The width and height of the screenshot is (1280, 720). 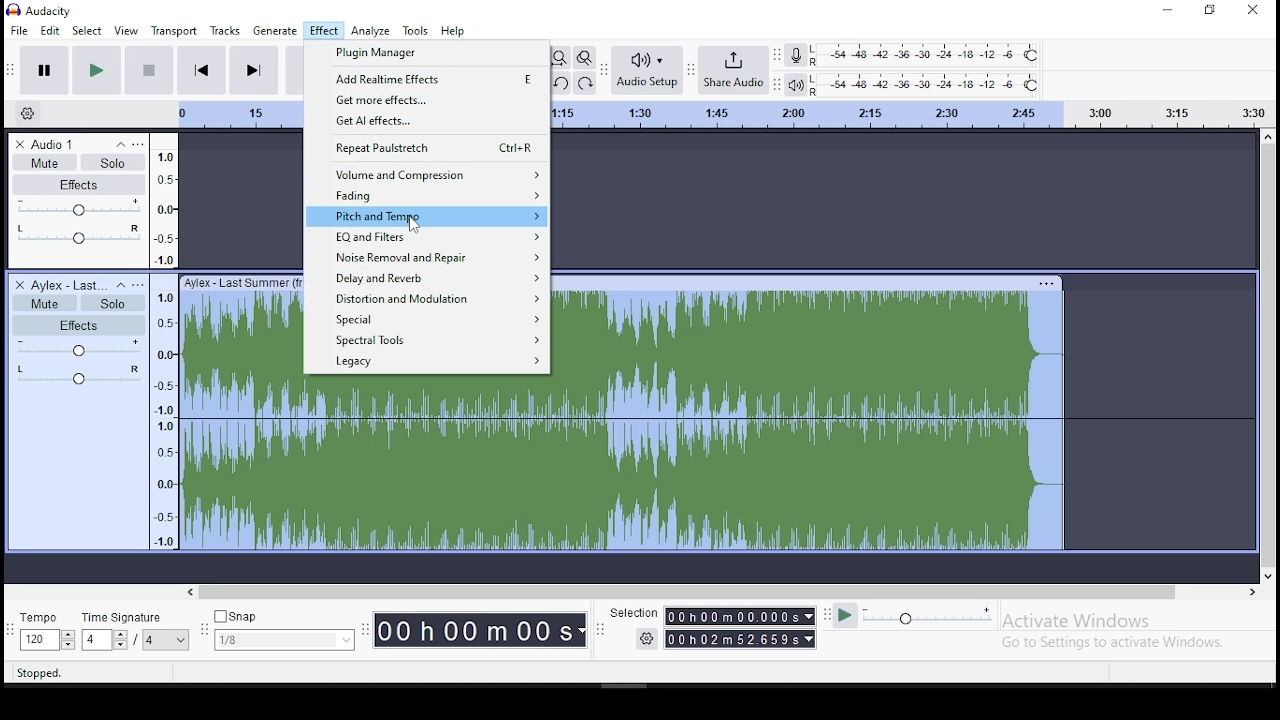 I want to click on tracks, so click(x=225, y=30).